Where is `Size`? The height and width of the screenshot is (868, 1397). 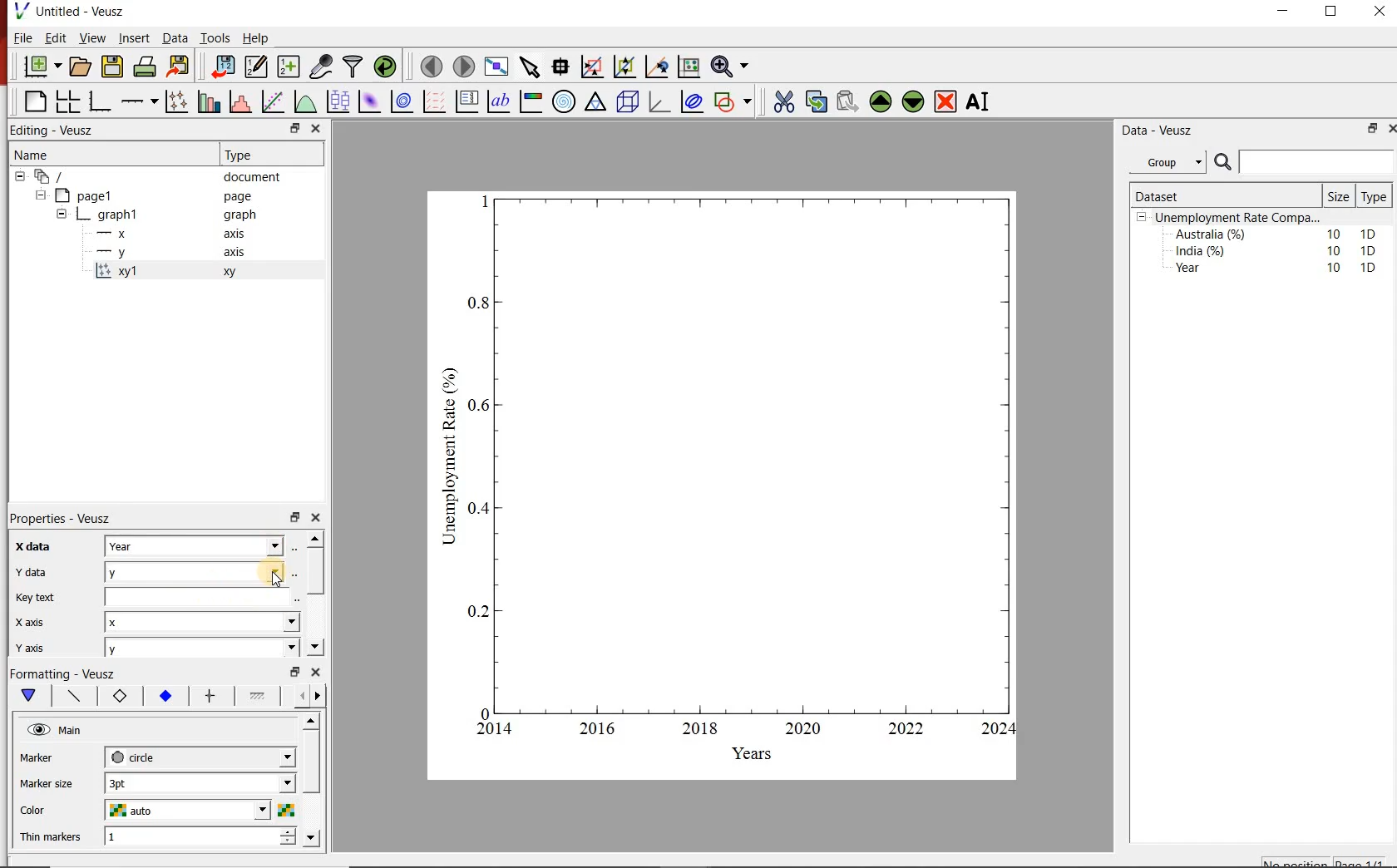 Size is located at coordinates (1340, 196).